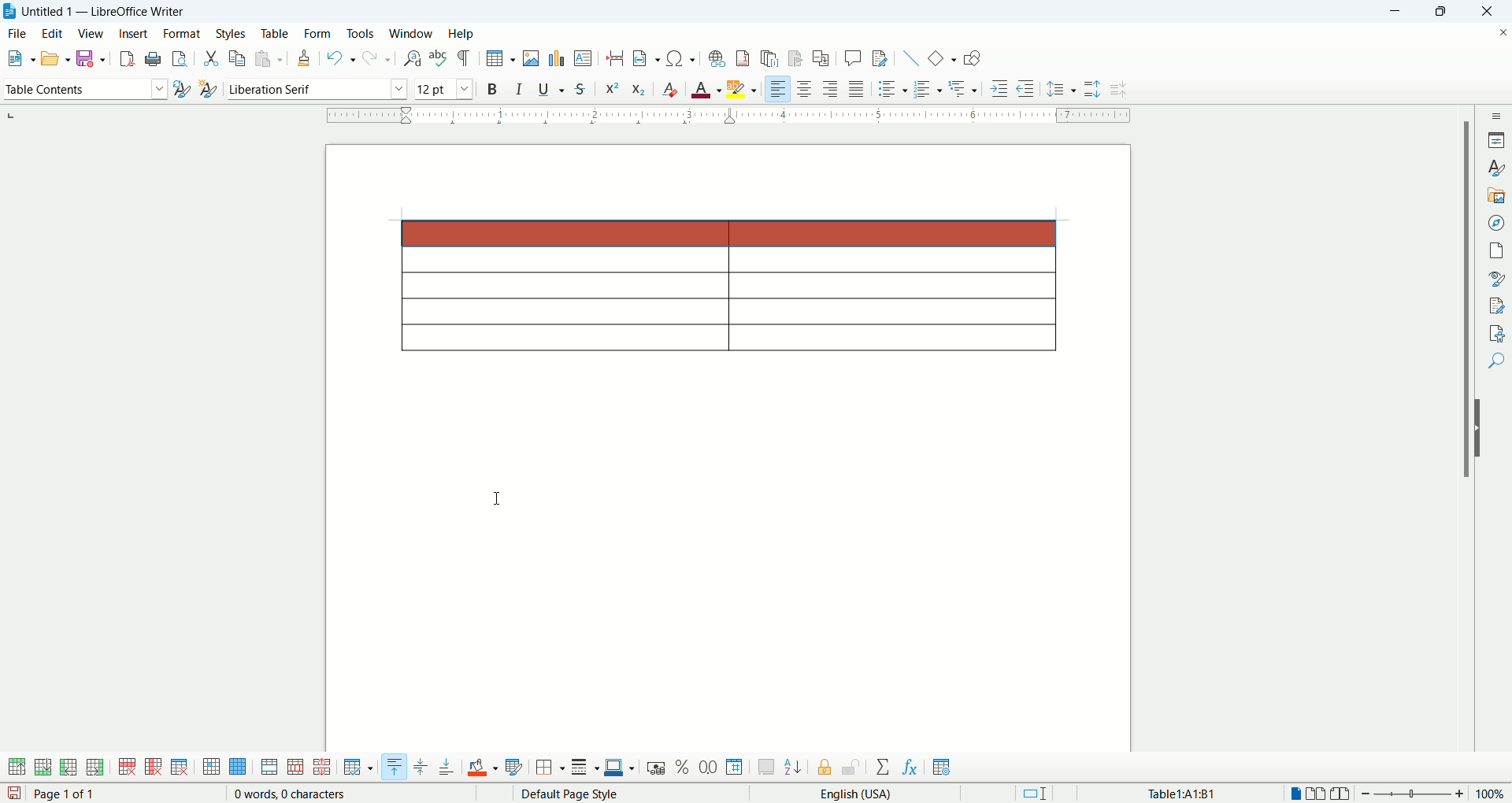 The width and height of the screenshot is (1512, 803). What do you see at coordinates (275, 34) in the screenshot?
I see `table` at bounding box center [275, 34].